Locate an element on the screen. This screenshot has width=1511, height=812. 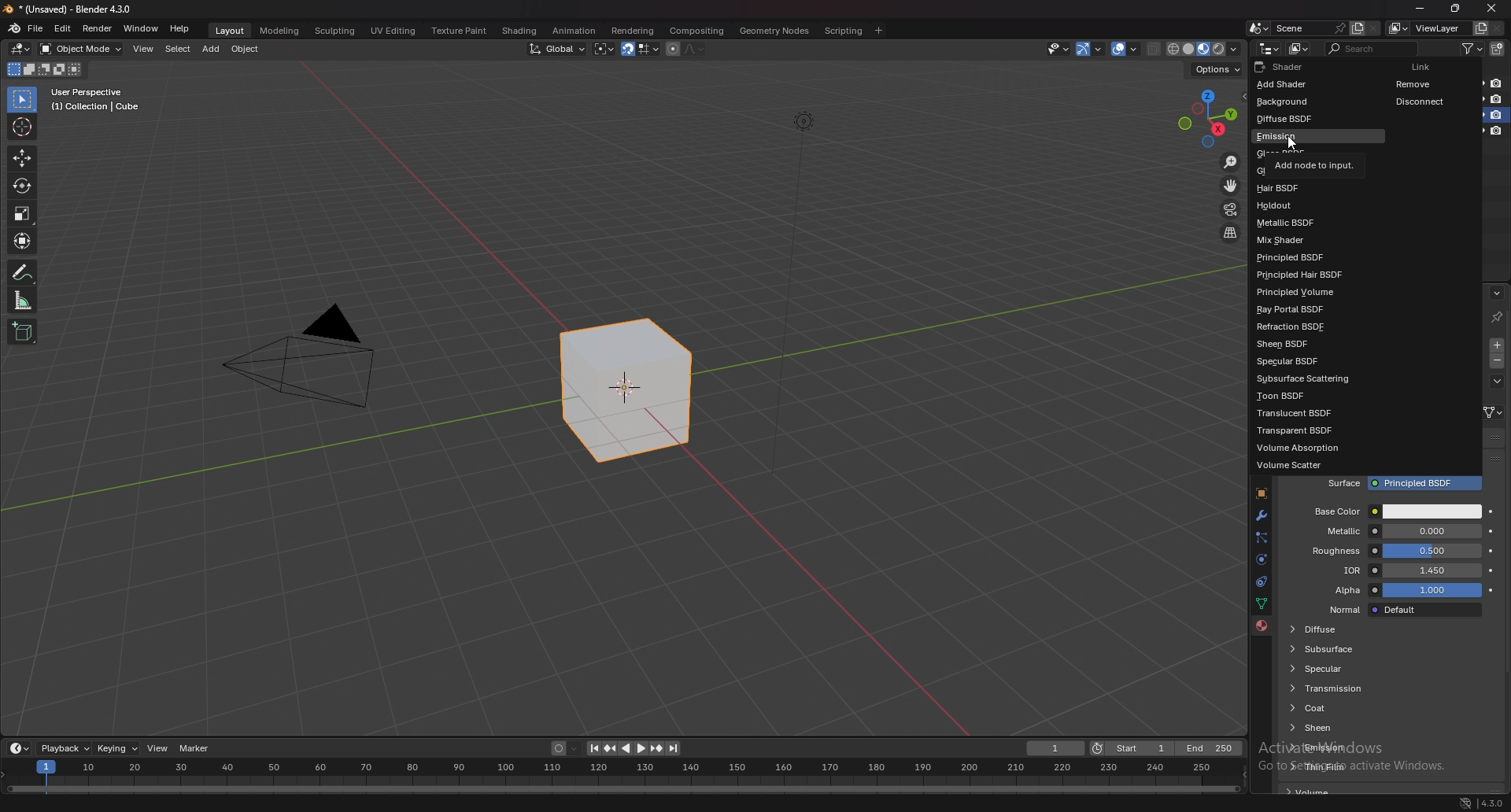
 is located at coordinates (1454, 802).